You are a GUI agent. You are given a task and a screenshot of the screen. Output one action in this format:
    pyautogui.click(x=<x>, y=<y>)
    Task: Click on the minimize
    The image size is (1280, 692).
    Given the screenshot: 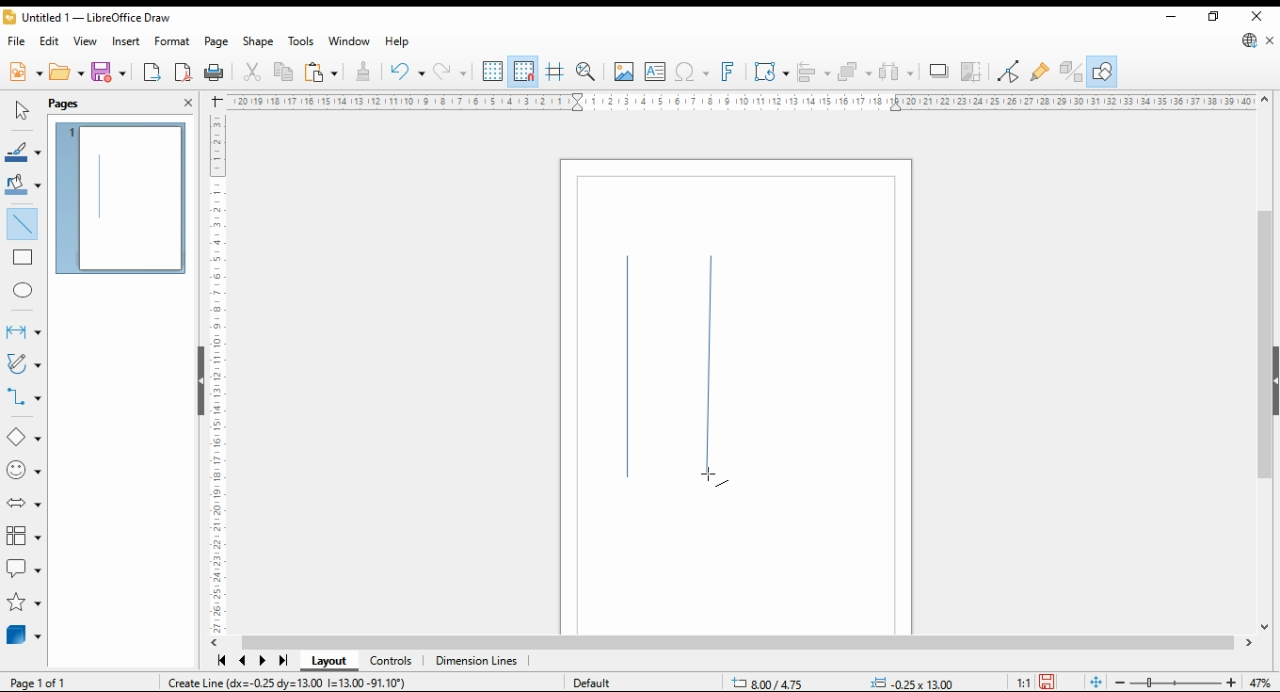 What is the action you would take?
    pyautogui.click(x=1172, y=17)
    